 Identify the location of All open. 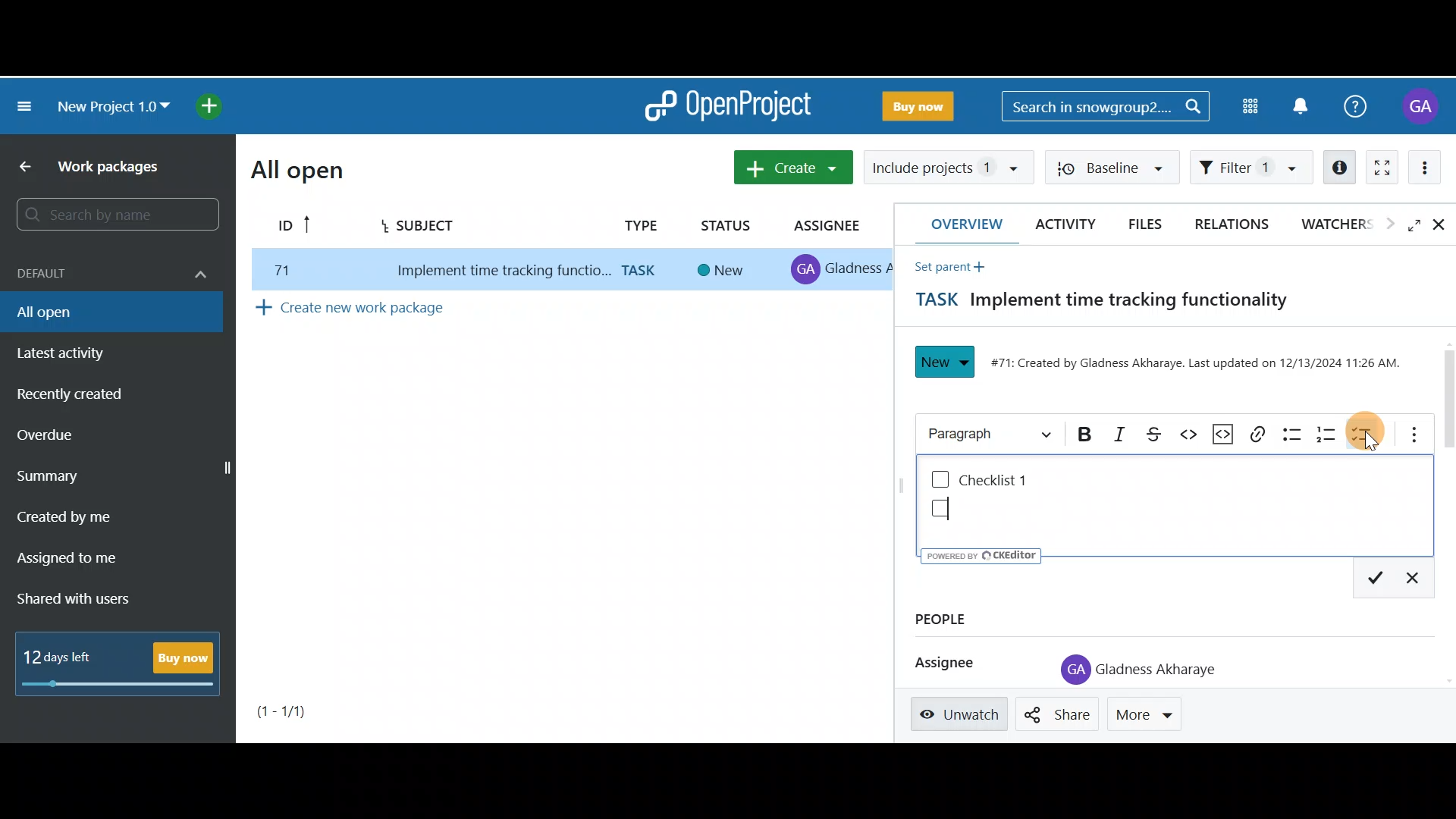
(297, 170).